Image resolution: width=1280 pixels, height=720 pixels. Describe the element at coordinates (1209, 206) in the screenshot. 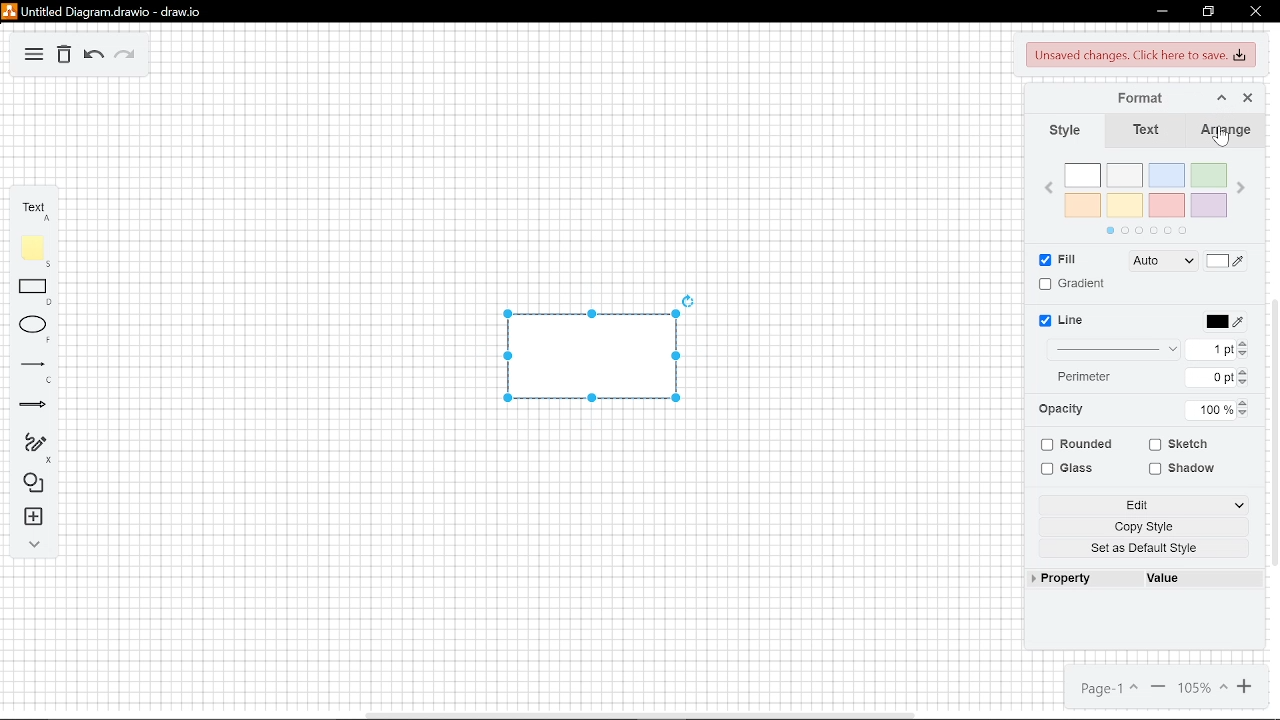

I see `violet` at that location.